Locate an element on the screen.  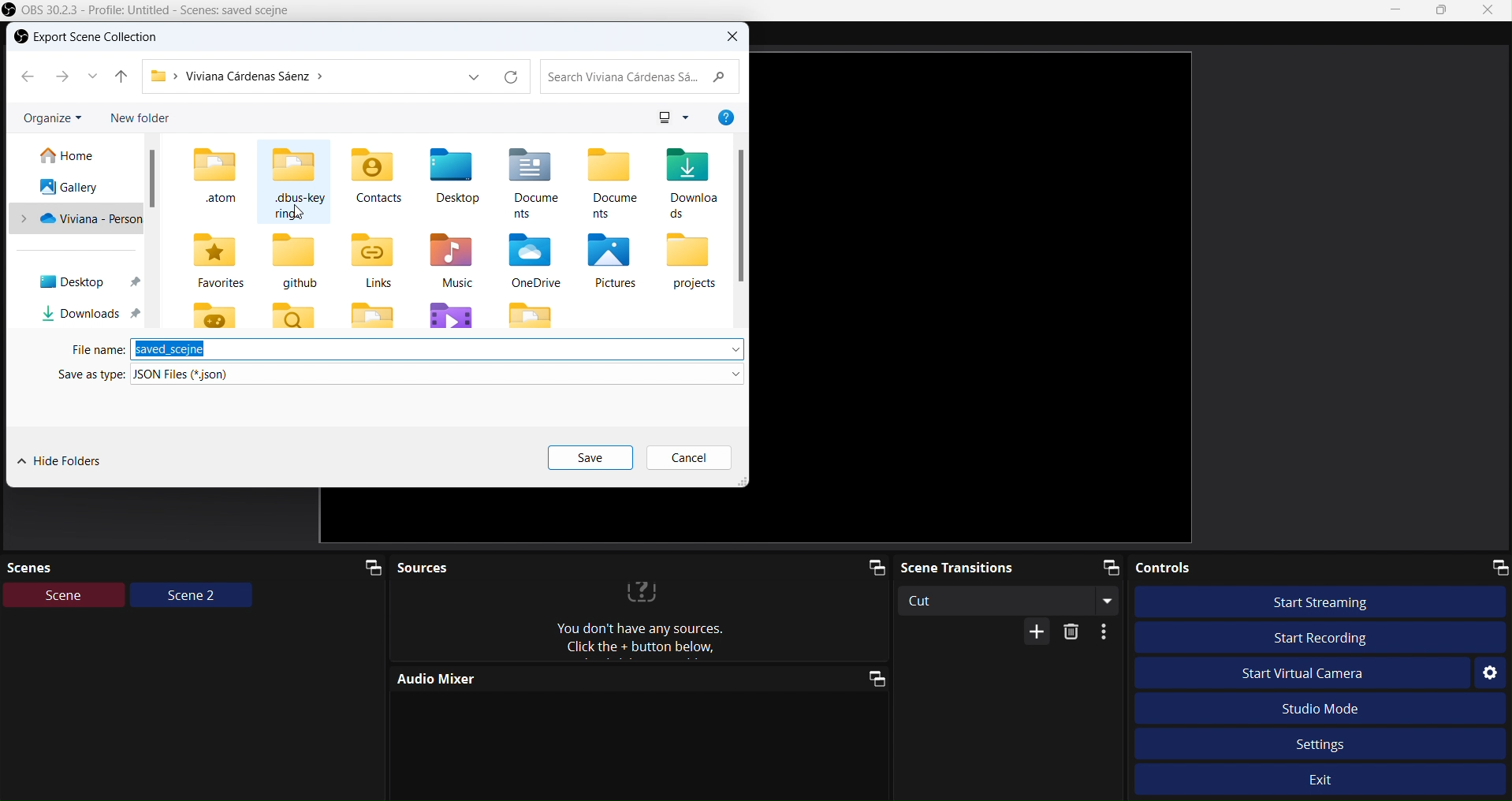
Search is located at coordinates (642, 74).